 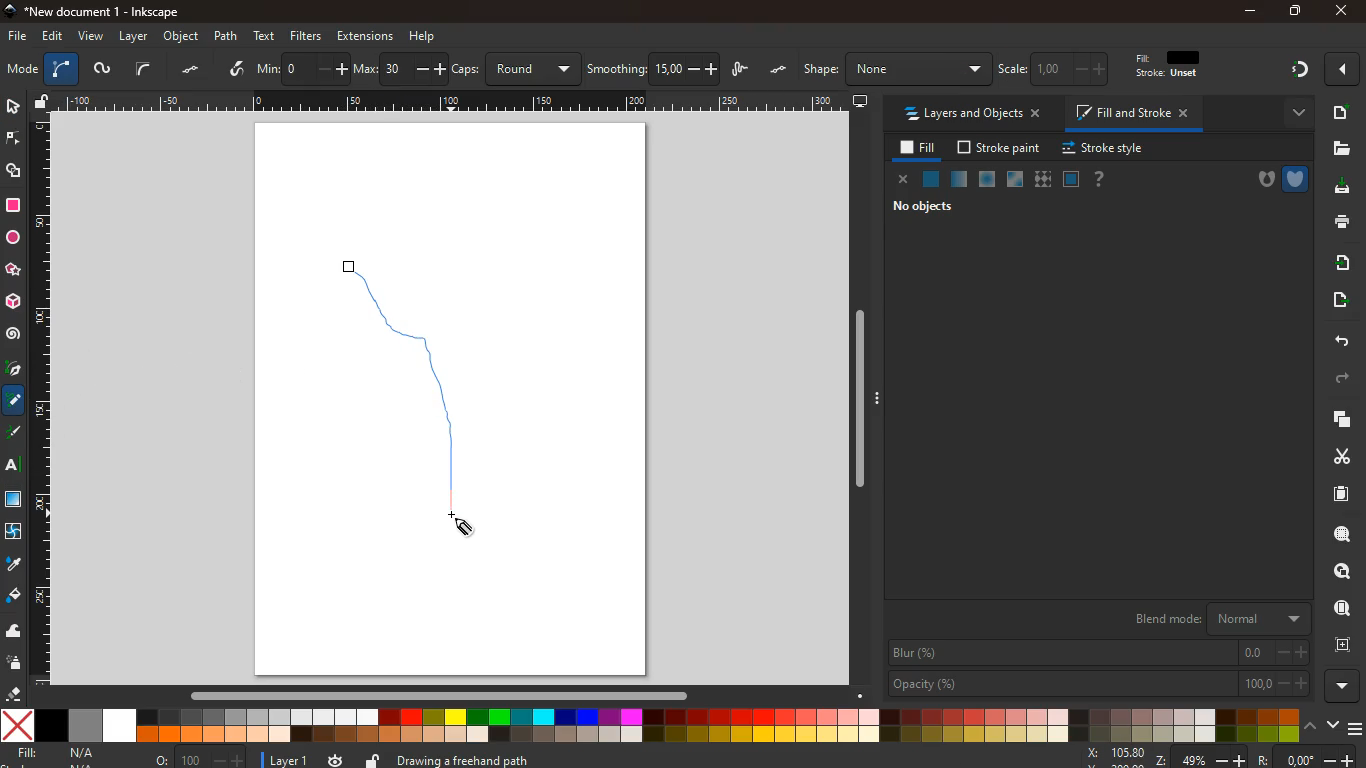 I want to click on object, so click(x=182, y=37).